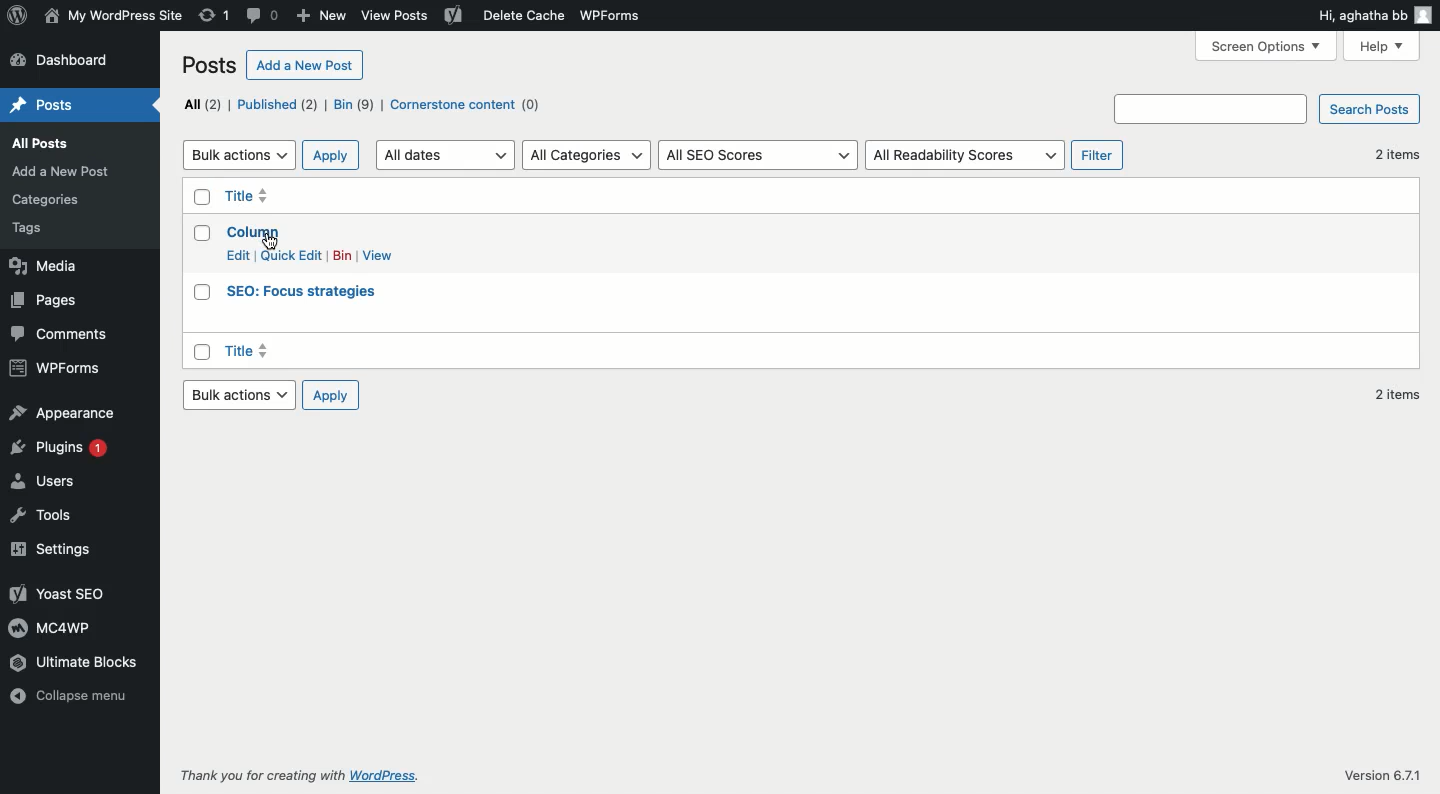  I want to click on checkbox, so click(201, 353).